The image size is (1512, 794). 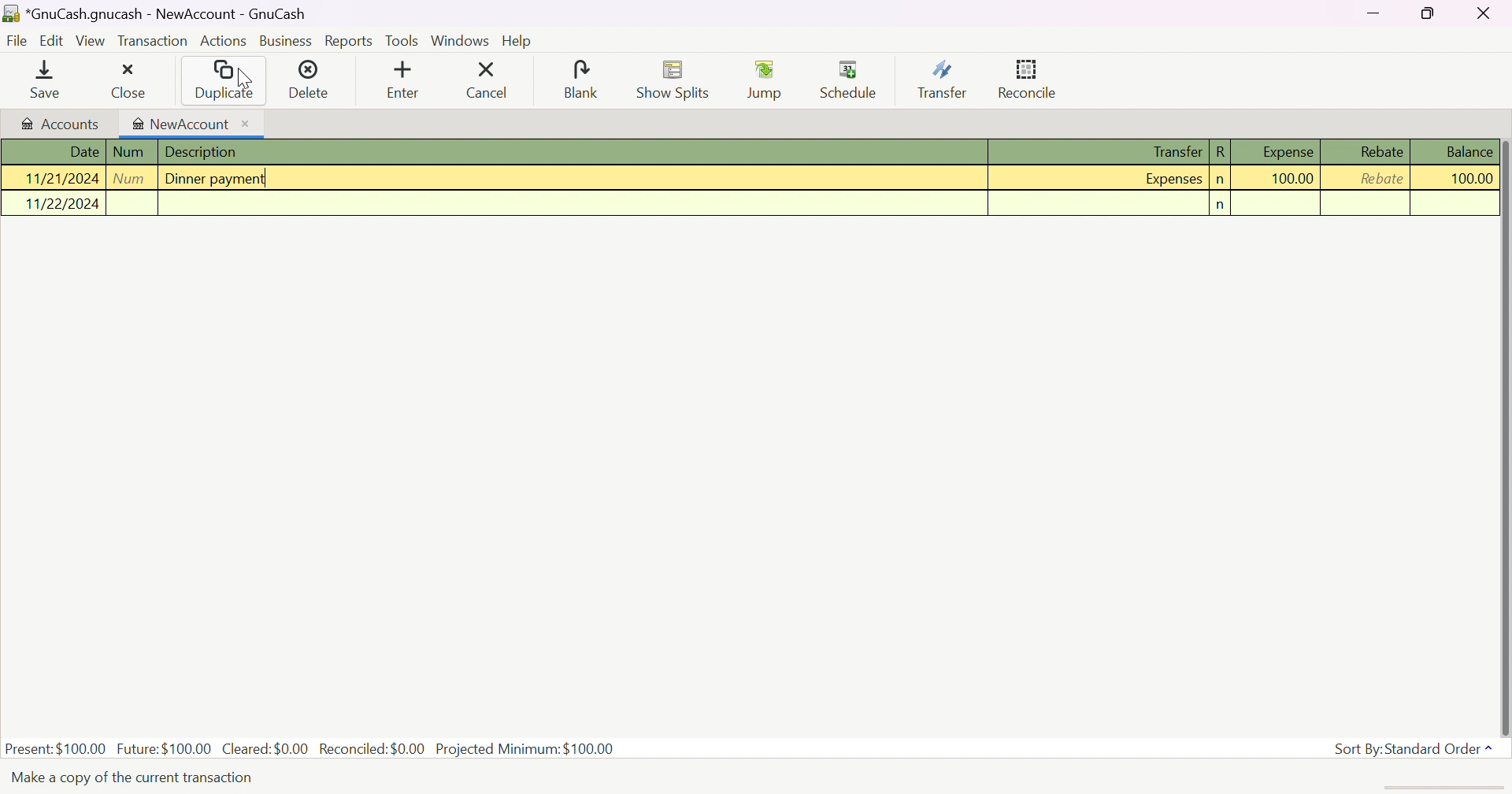 What do you see at coordinates (166, 747) in the screenshot?
I see `Future: $0.00` at bounding box center [166, 747].